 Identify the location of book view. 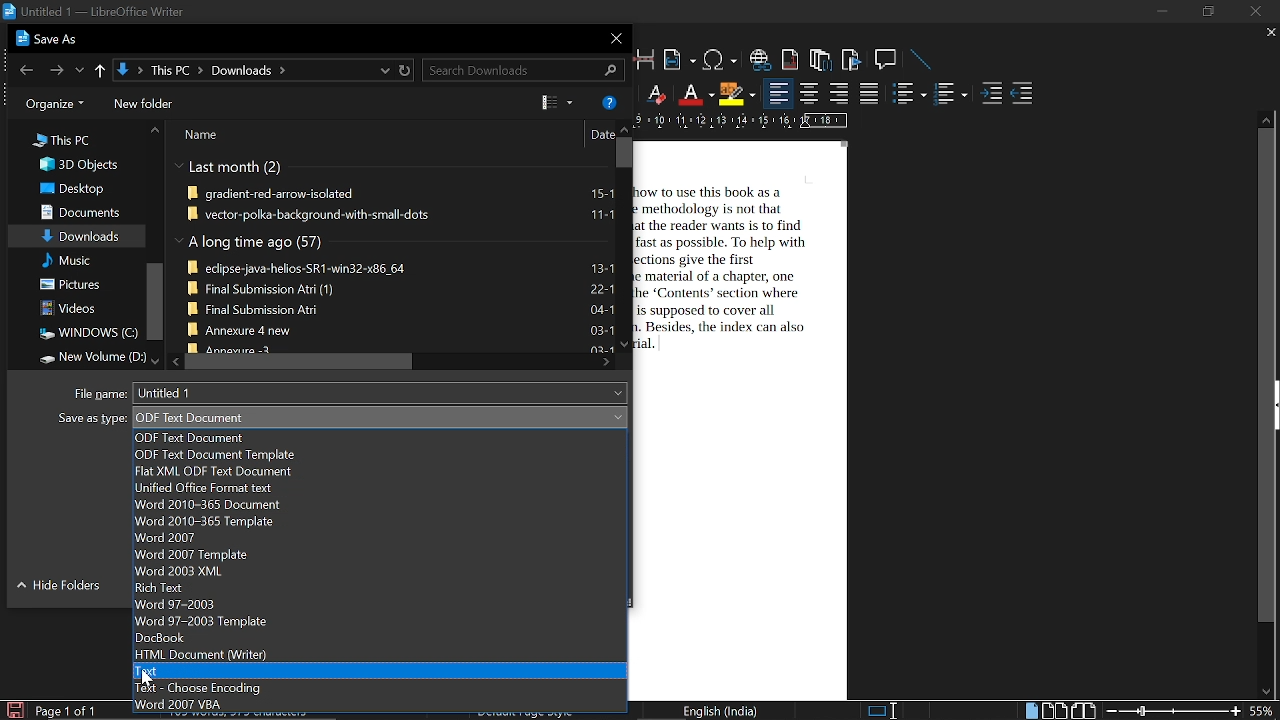
(1083, 711).